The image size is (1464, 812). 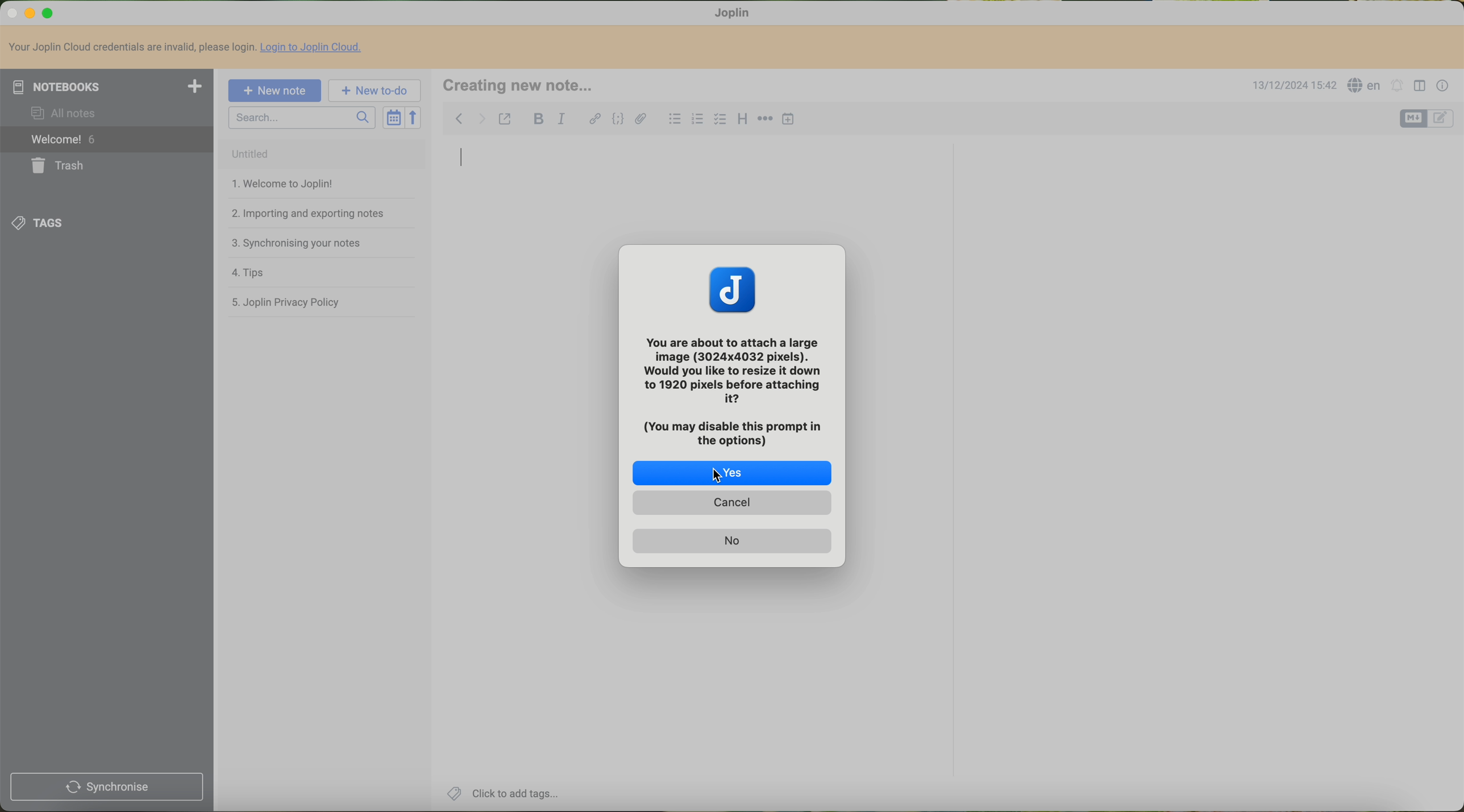 What do you see at coordinates (321, 154) in the screenshot?
I see `untitled note` at bounding box center [321, 154].